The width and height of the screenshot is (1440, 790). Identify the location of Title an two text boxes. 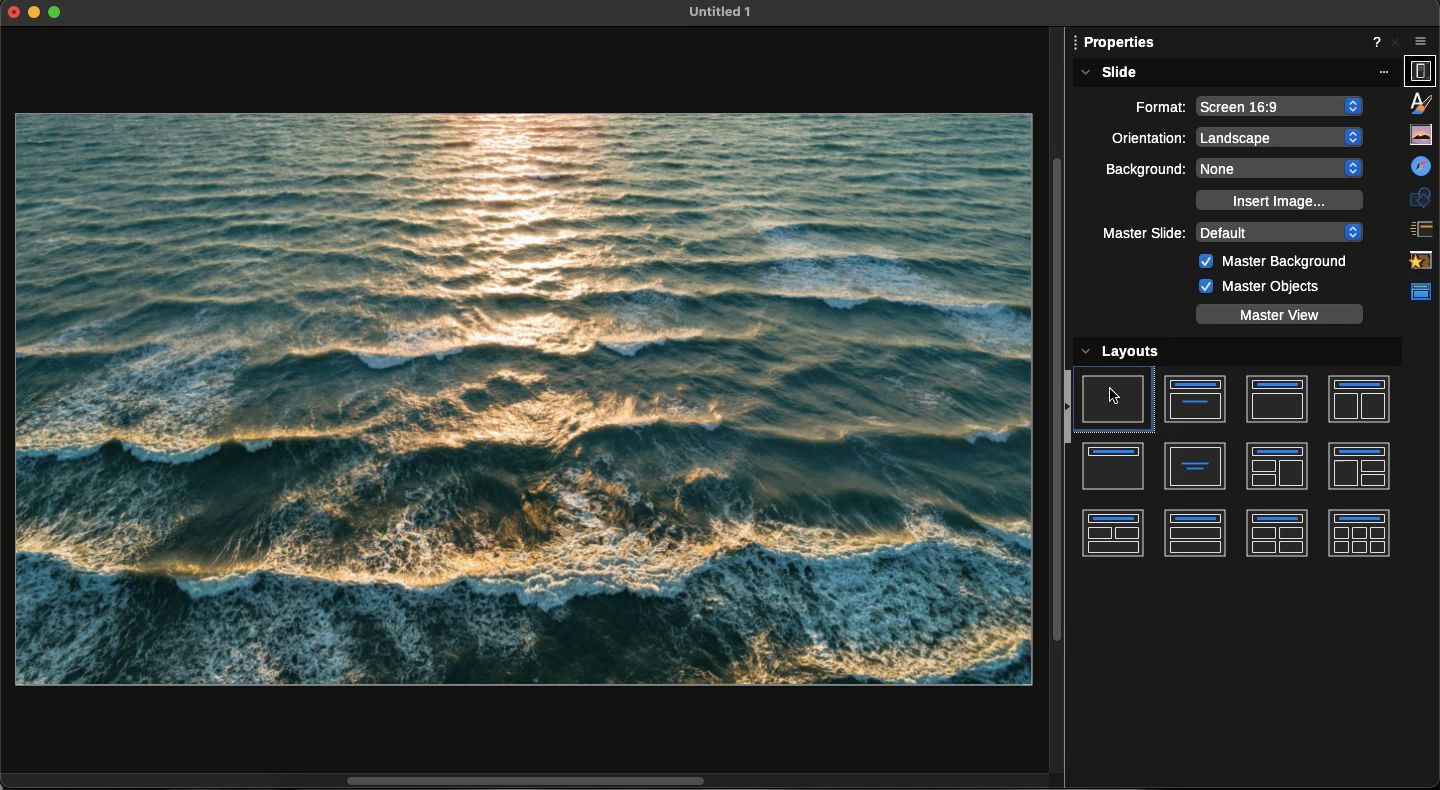
(1358, 401).